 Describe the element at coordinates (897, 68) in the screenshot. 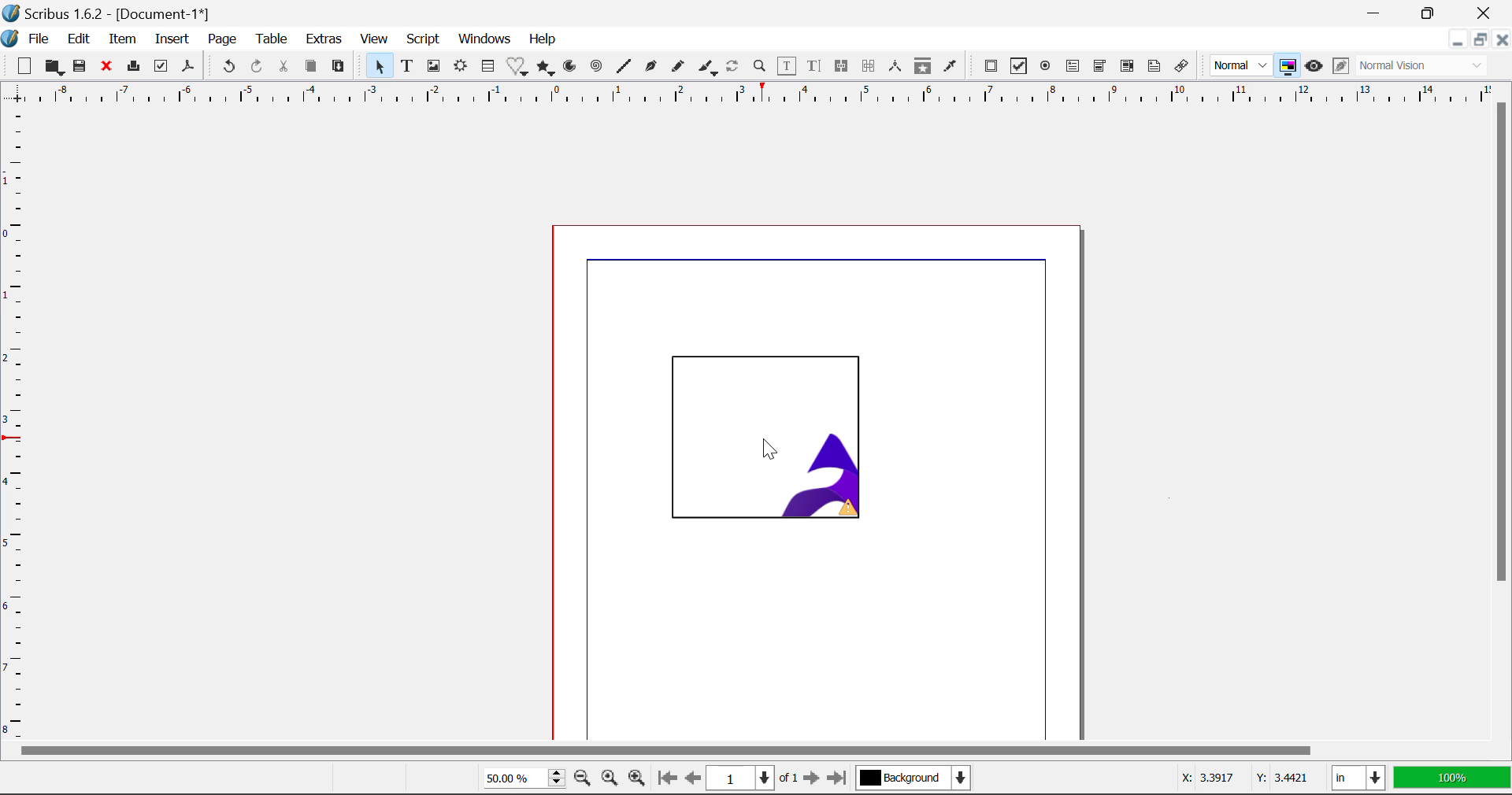

I see `Measurements` at that location.